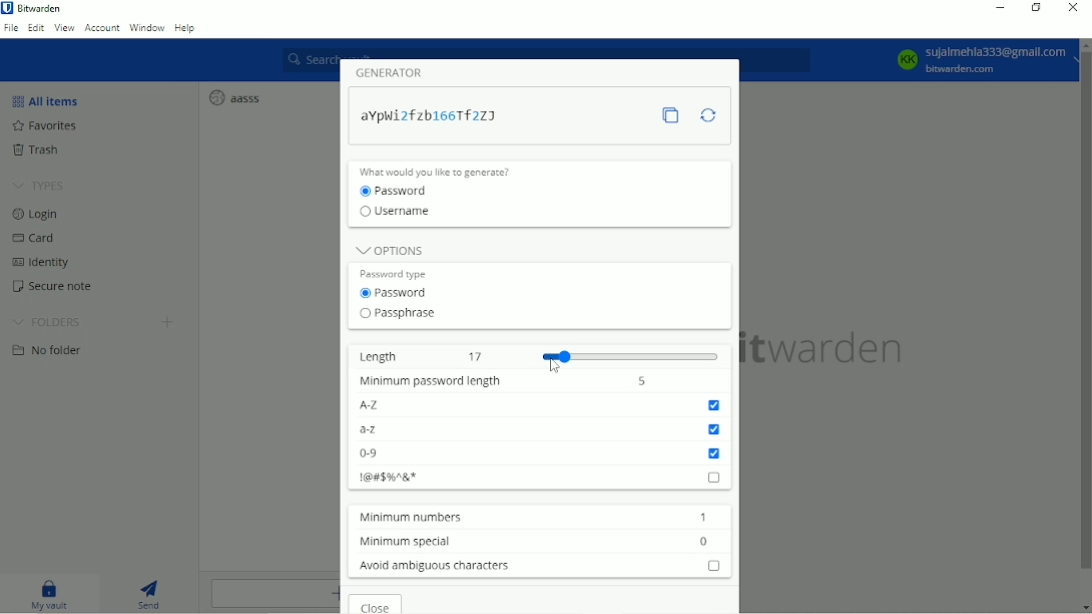 This screenshot has width=1092, height=614. I want to click on What would you like to generate?, so click(445, 171).